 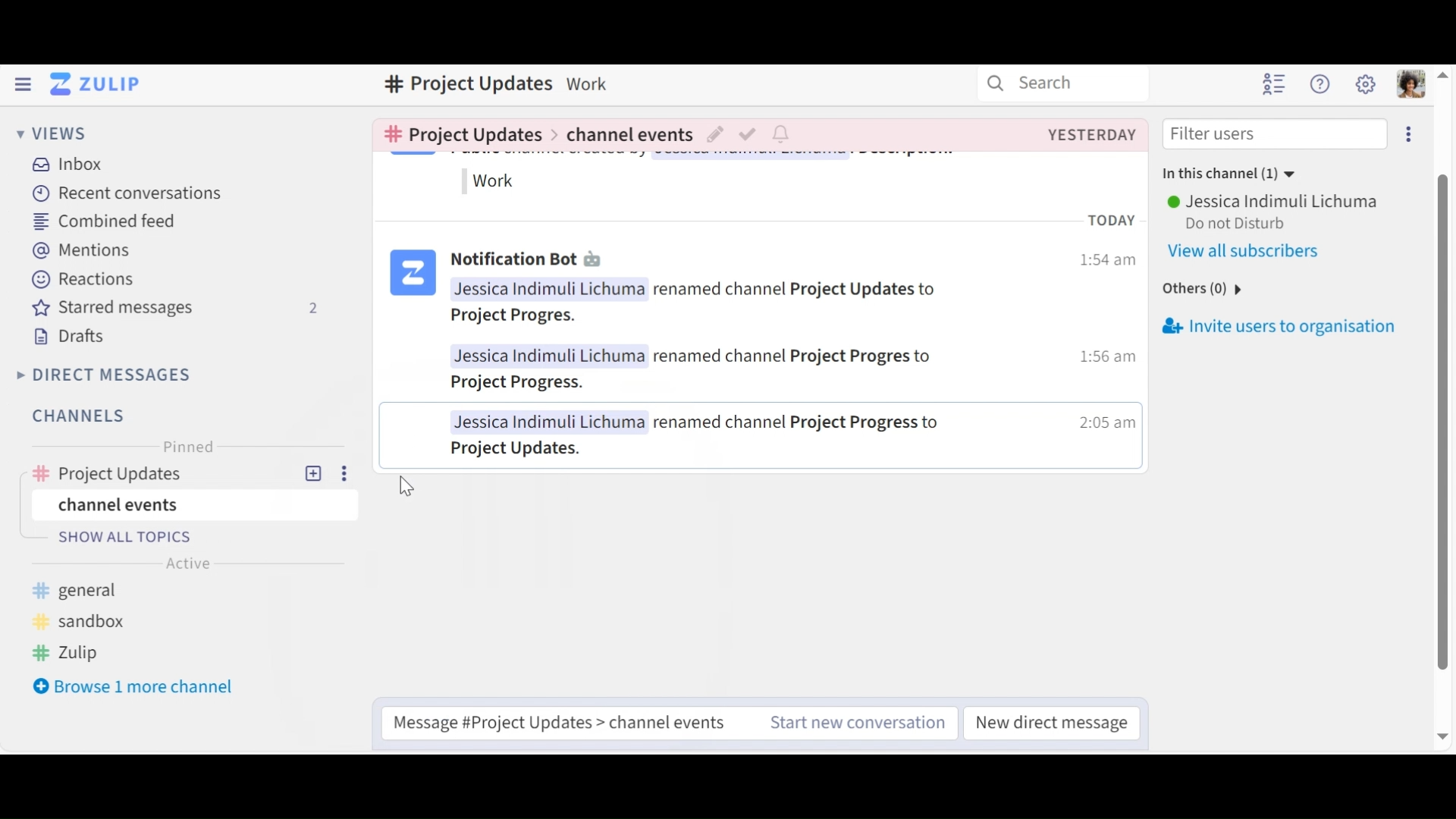 I want to click on New direct message, so click(x=1054, y=720).